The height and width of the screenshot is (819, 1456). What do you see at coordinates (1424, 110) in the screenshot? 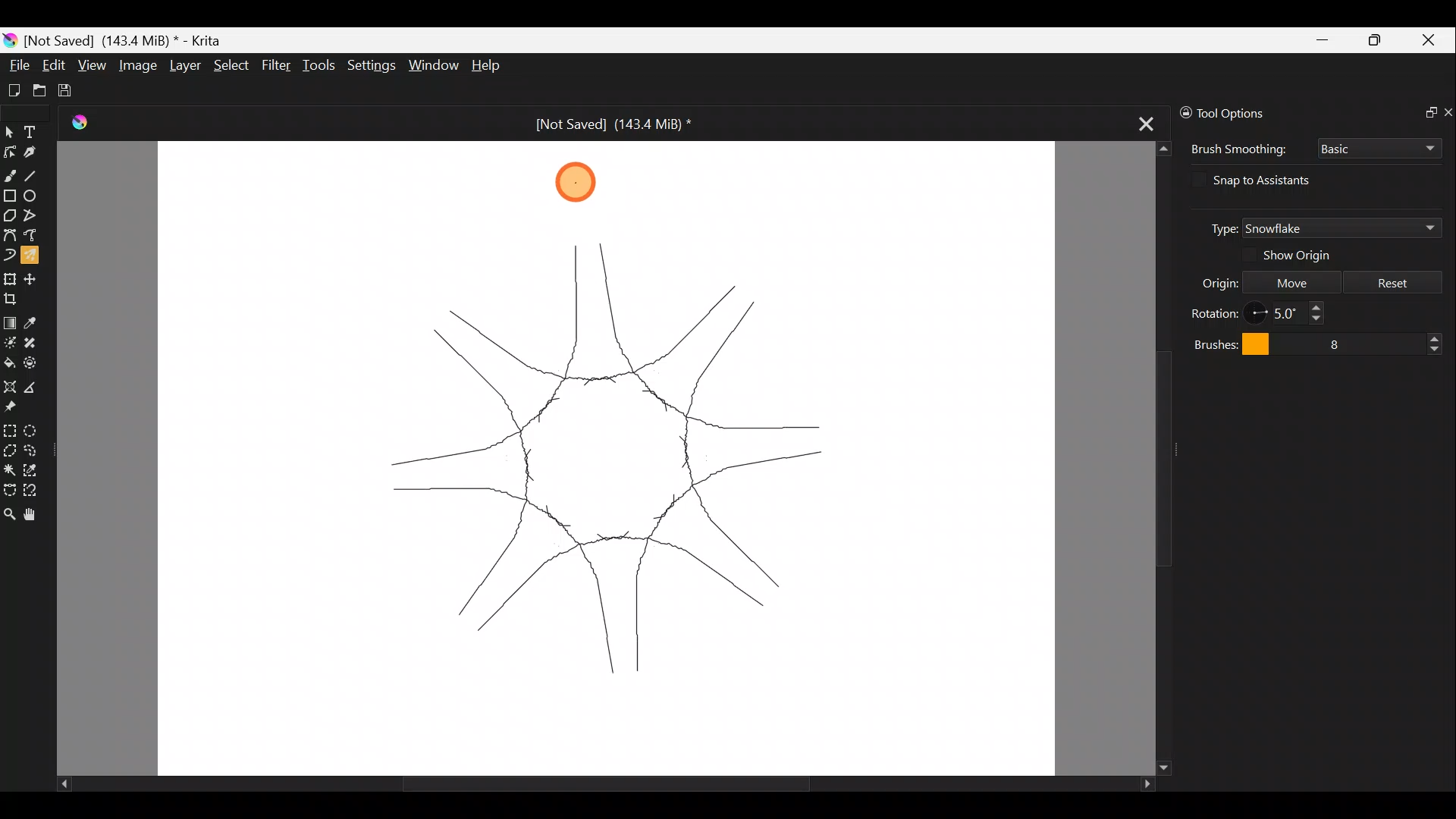
I see `Float docker` at bounding box center [1424, 110].